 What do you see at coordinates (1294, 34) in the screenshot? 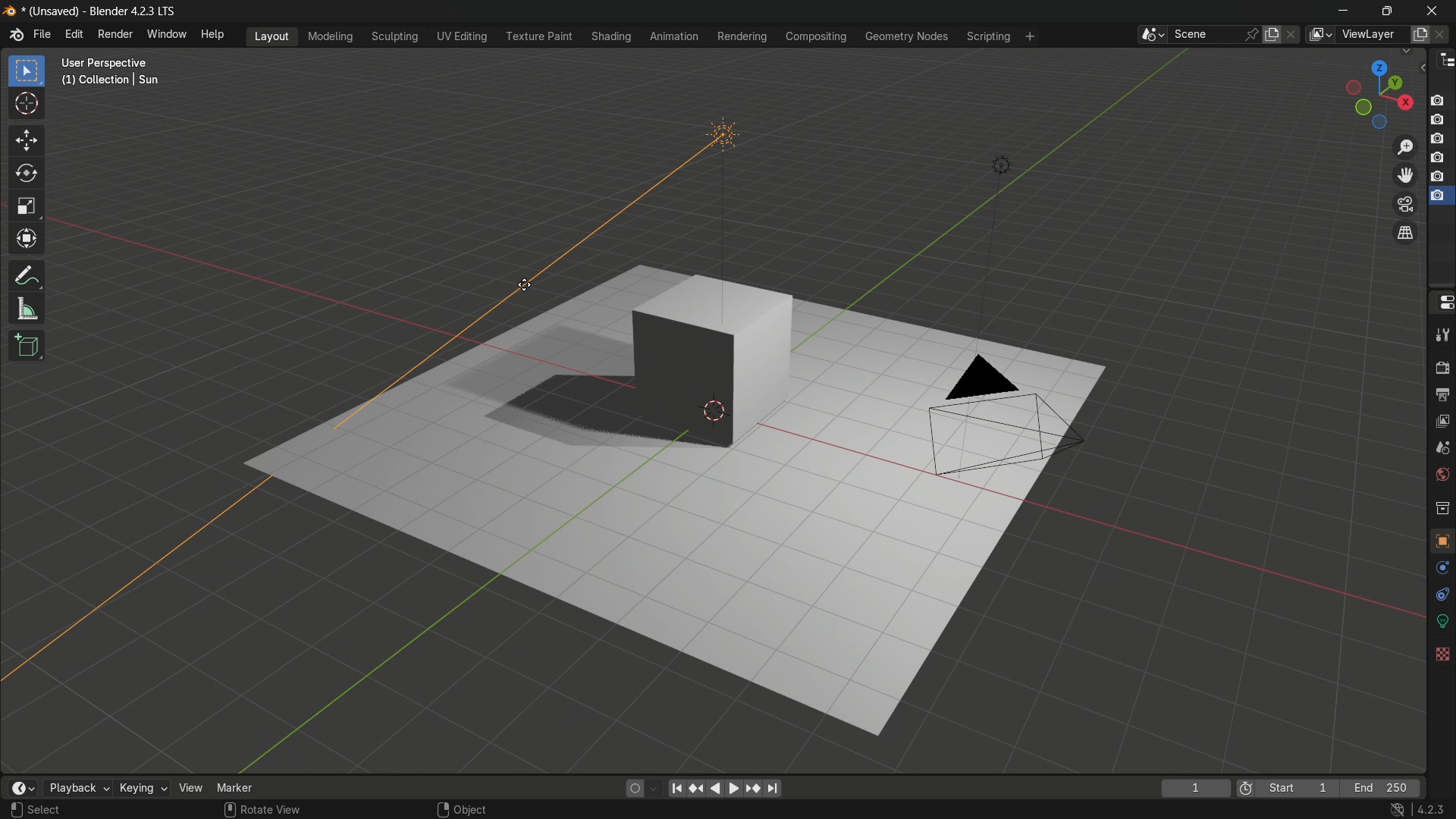
I see `delete scene` at bounding box center [1294, 34].